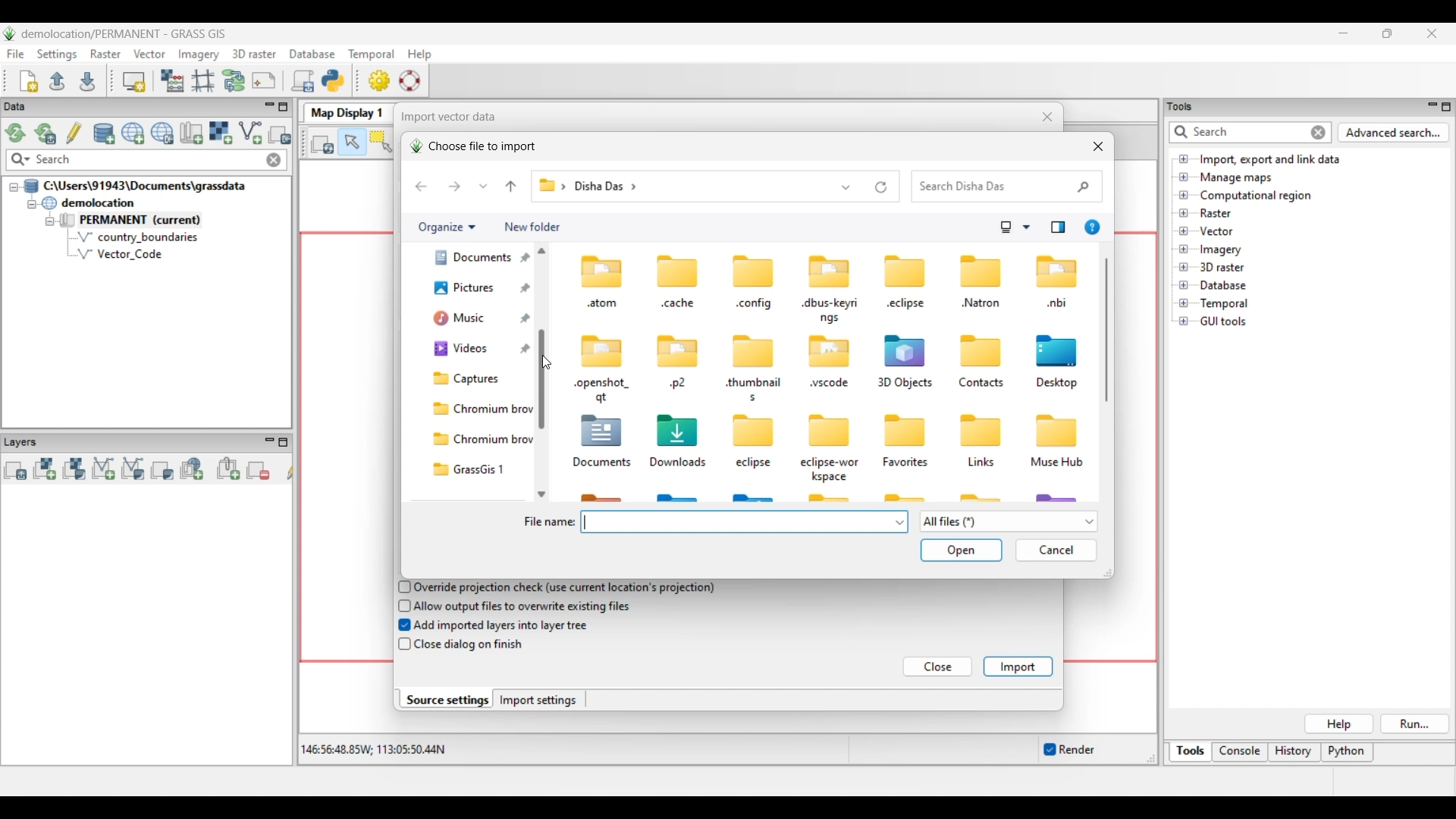  Describe the element at coordinates (1319, 133) in the screenshot. I see `Close input for quick search` at that location.